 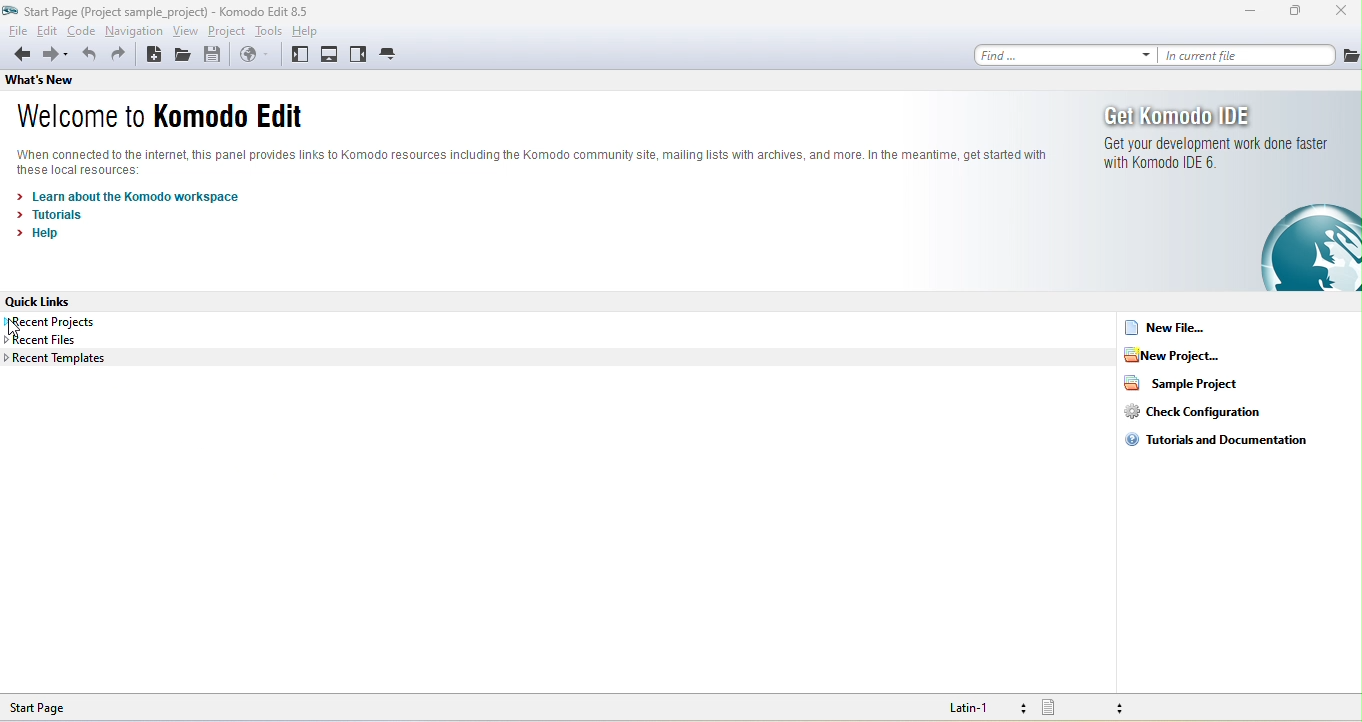 I want to click on left pane, so click(x=299, y=54).